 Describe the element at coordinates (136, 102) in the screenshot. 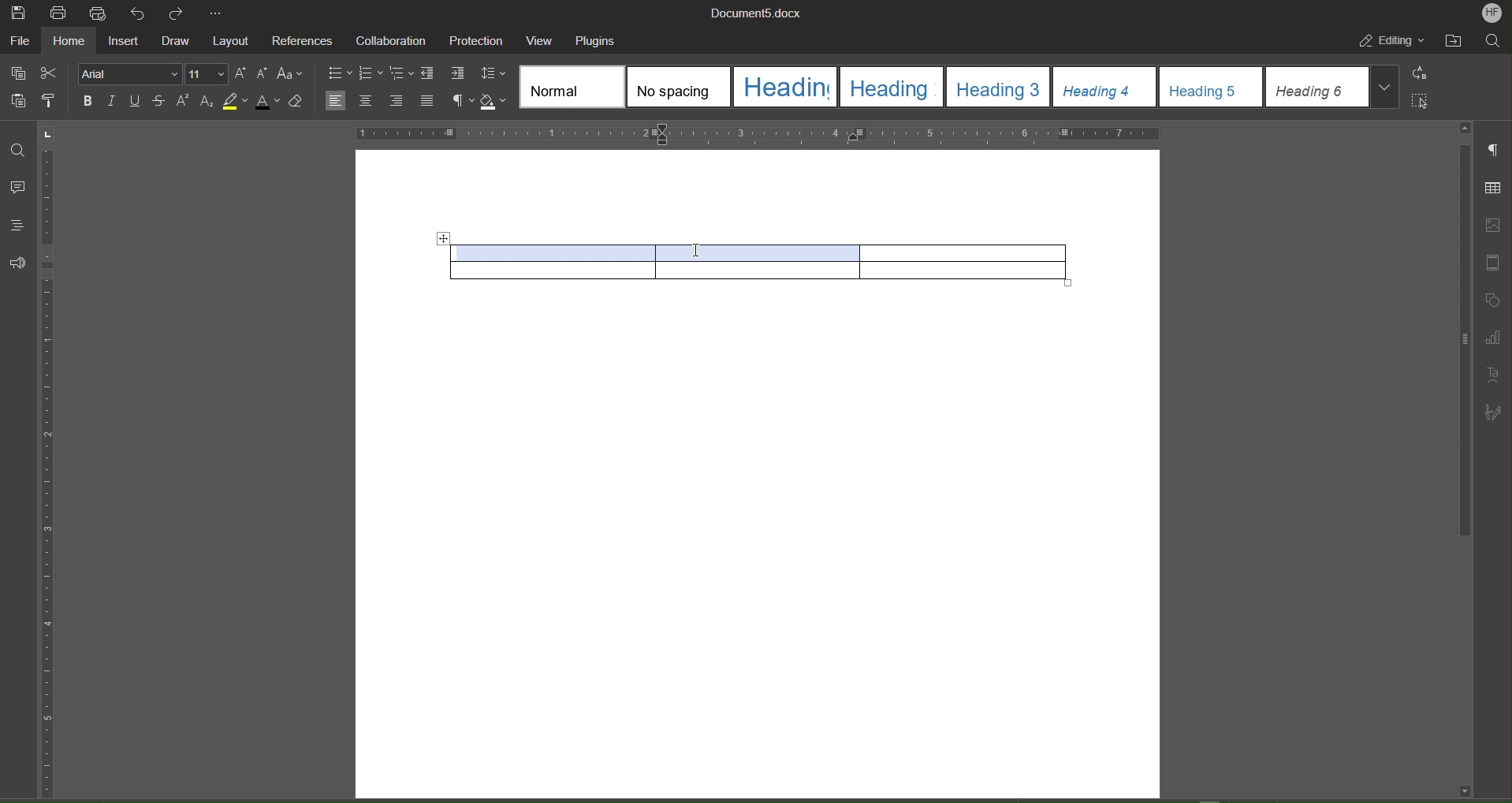

I see `Underline` at that location.